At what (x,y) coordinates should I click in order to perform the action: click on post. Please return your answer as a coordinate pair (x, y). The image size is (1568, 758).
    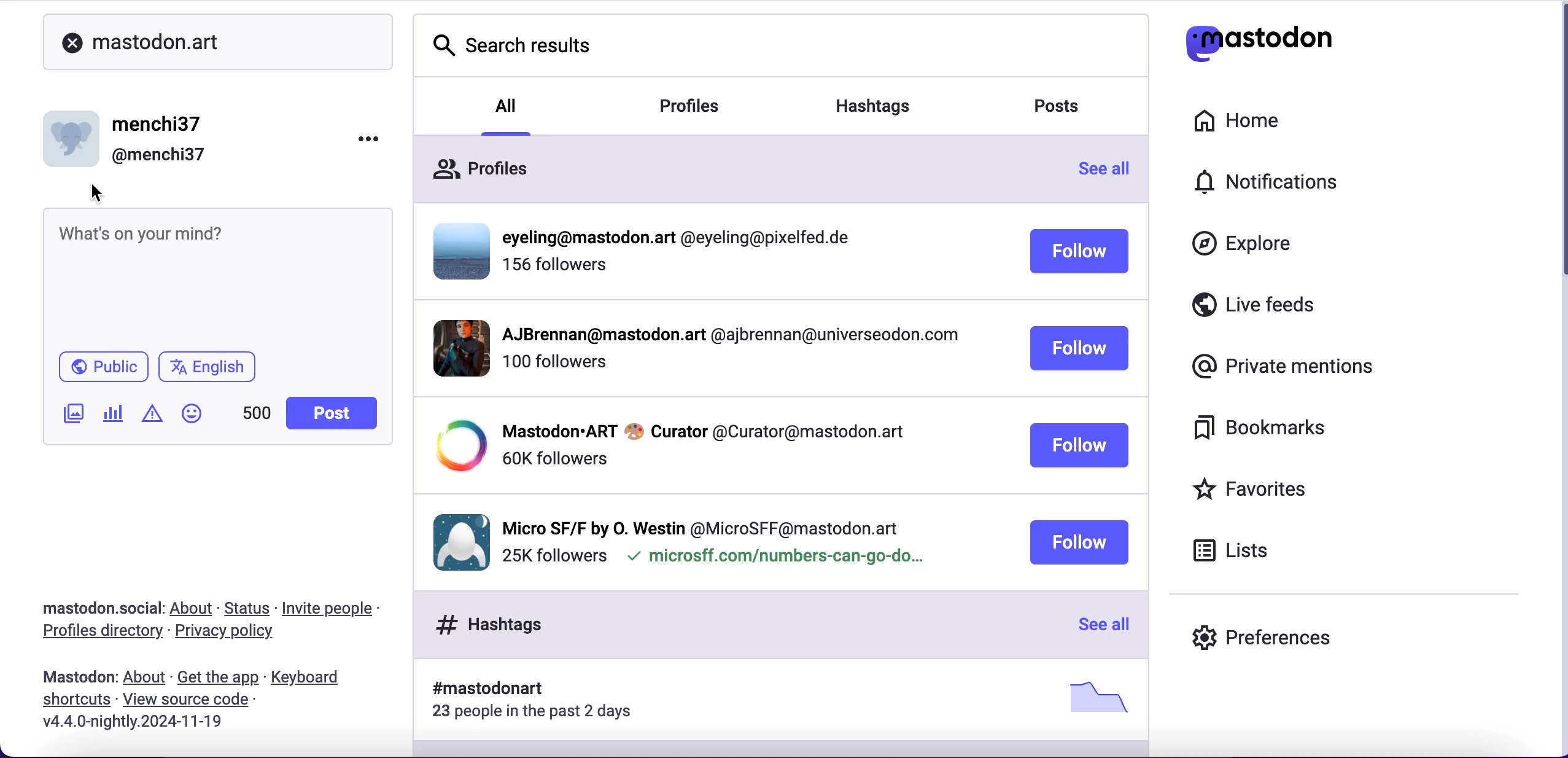
    Looking at the image, I should click on (330, 413).